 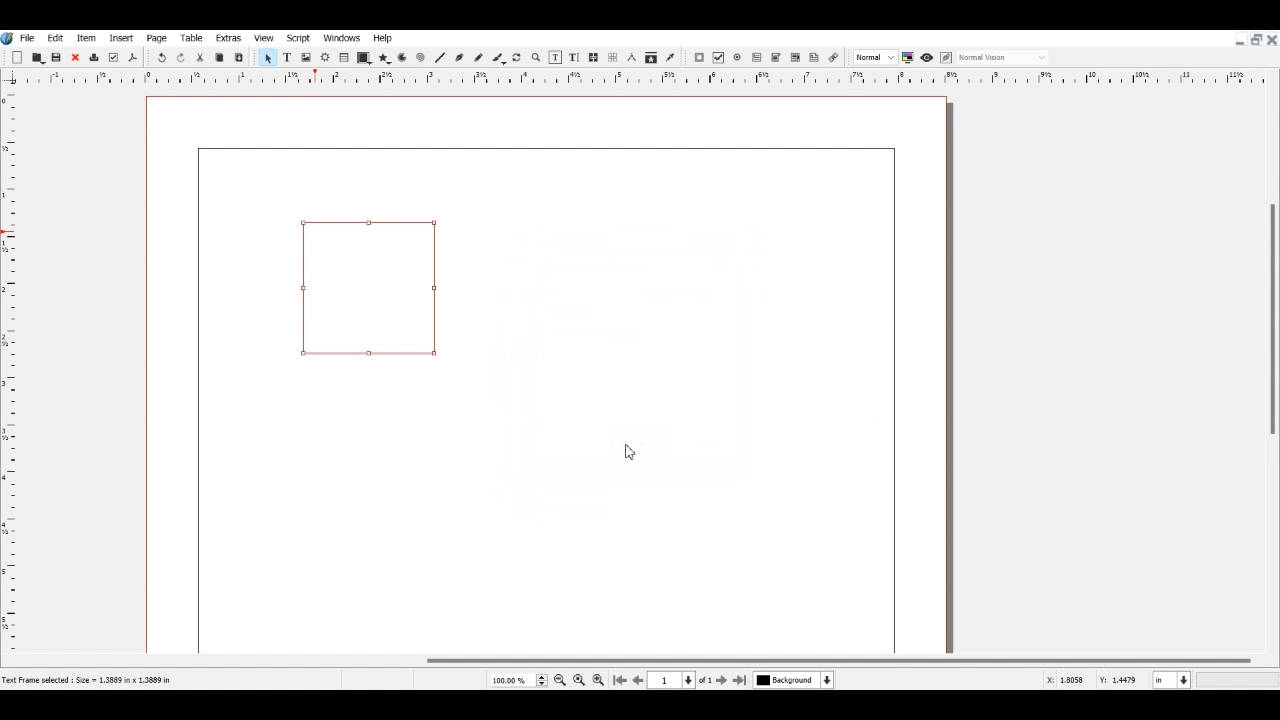 What do you see at coordinates (326, 57) in the screenshot?
I see `Render frame` at bounding box center [326, 57].